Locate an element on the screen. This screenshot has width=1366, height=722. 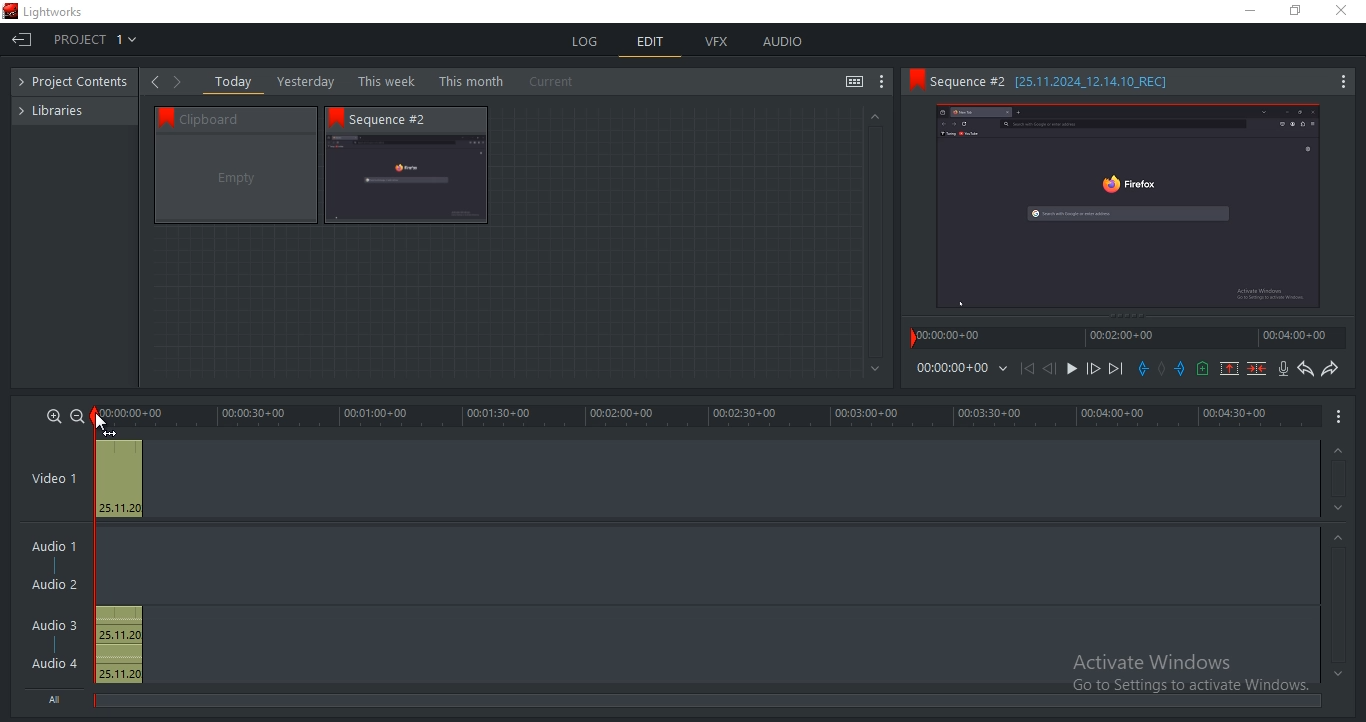
Greyed out down arrow is located at coordinates (1341, 511).